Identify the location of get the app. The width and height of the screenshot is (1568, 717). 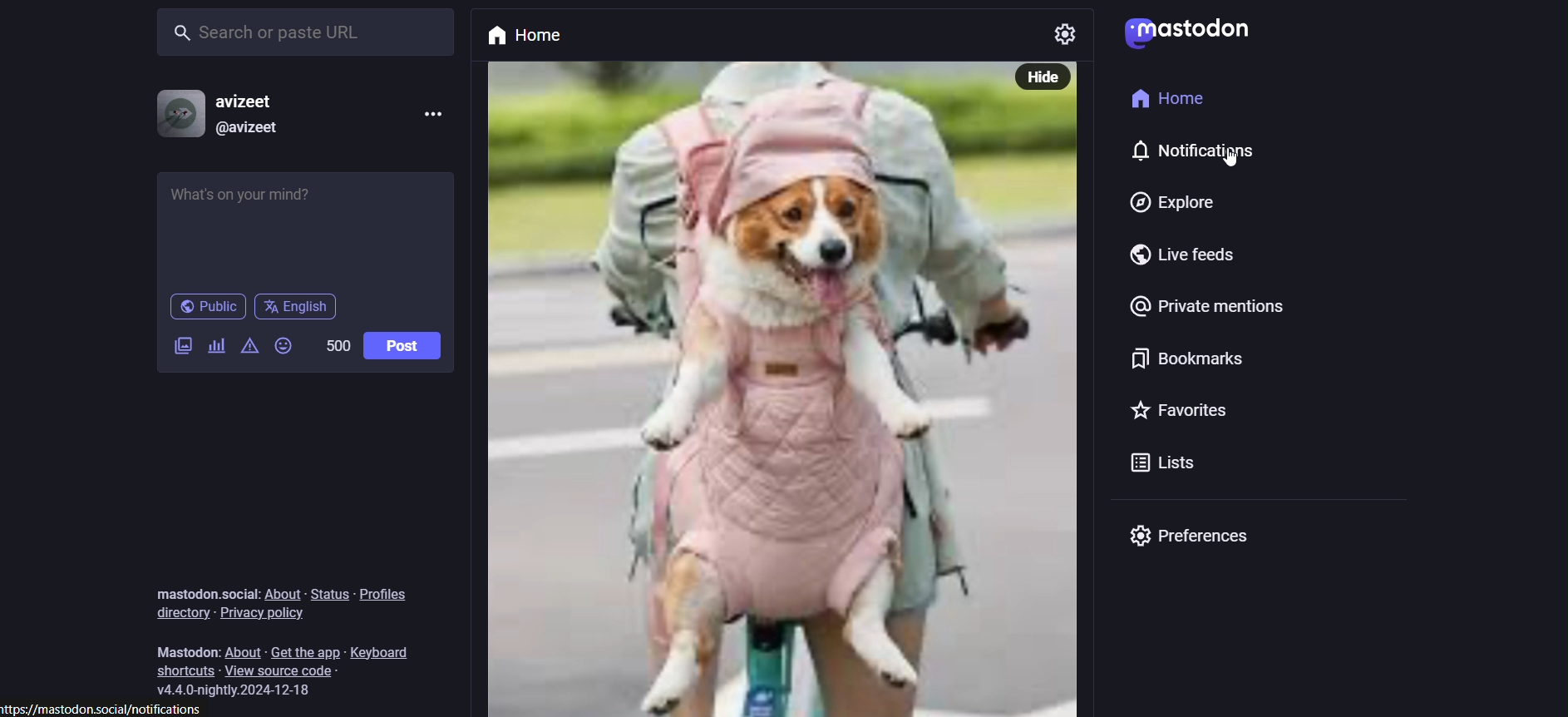
(307, 651).